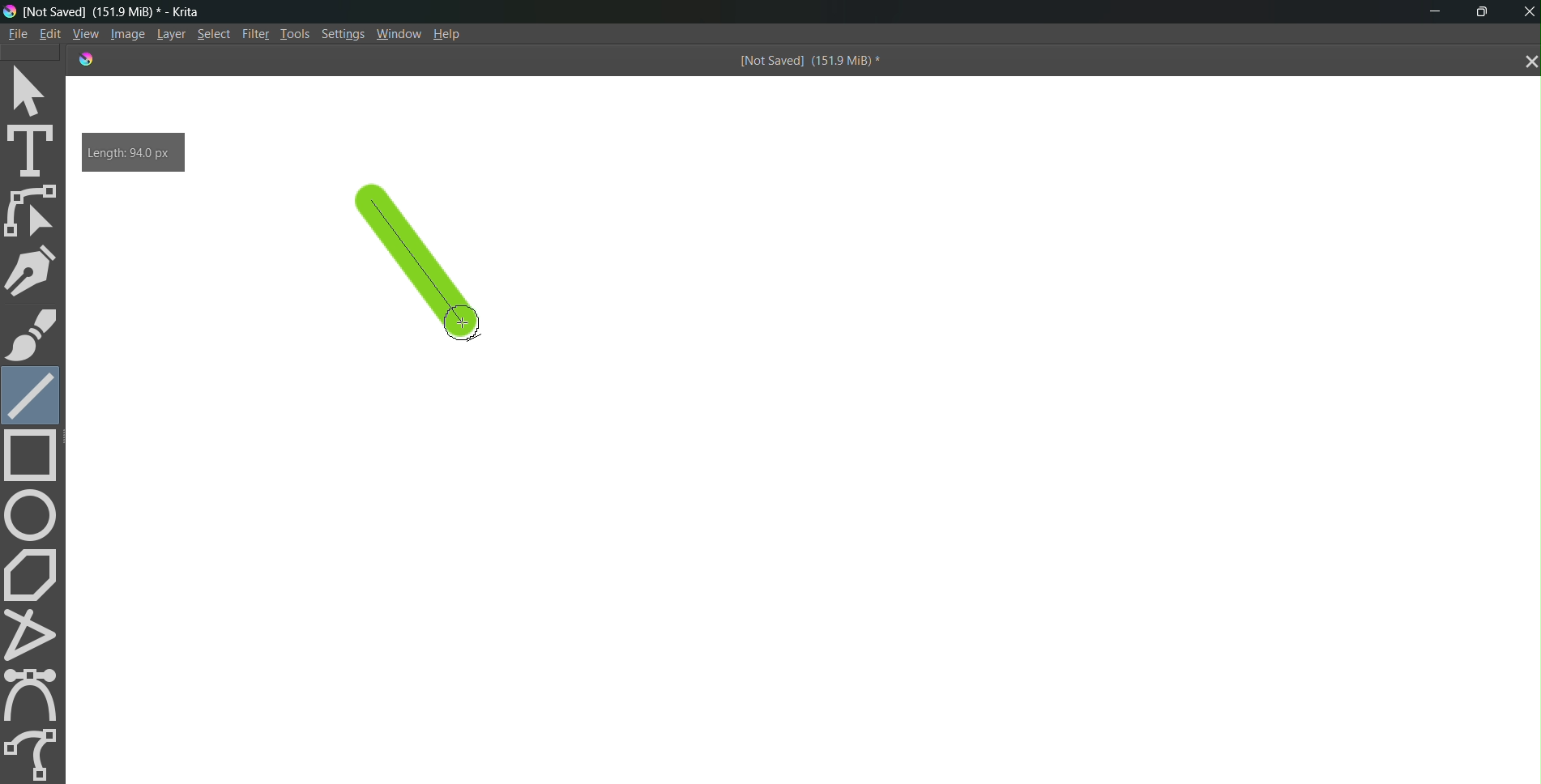 This screenshot has width=1541, height=784. I want to click on logo, so click(83, 58).